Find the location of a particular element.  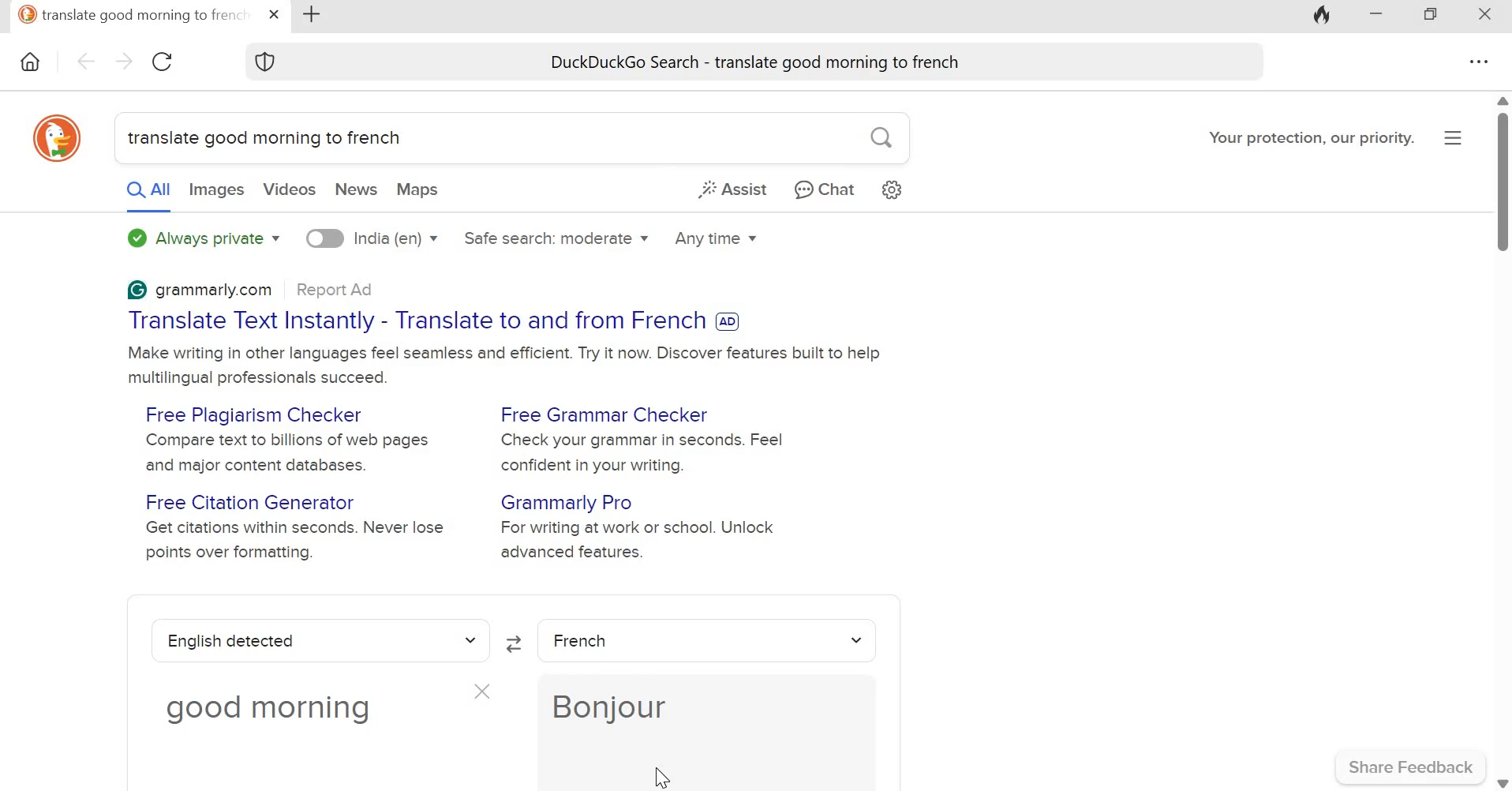

Free Grammar Checker is located at coordinates (603, 414).